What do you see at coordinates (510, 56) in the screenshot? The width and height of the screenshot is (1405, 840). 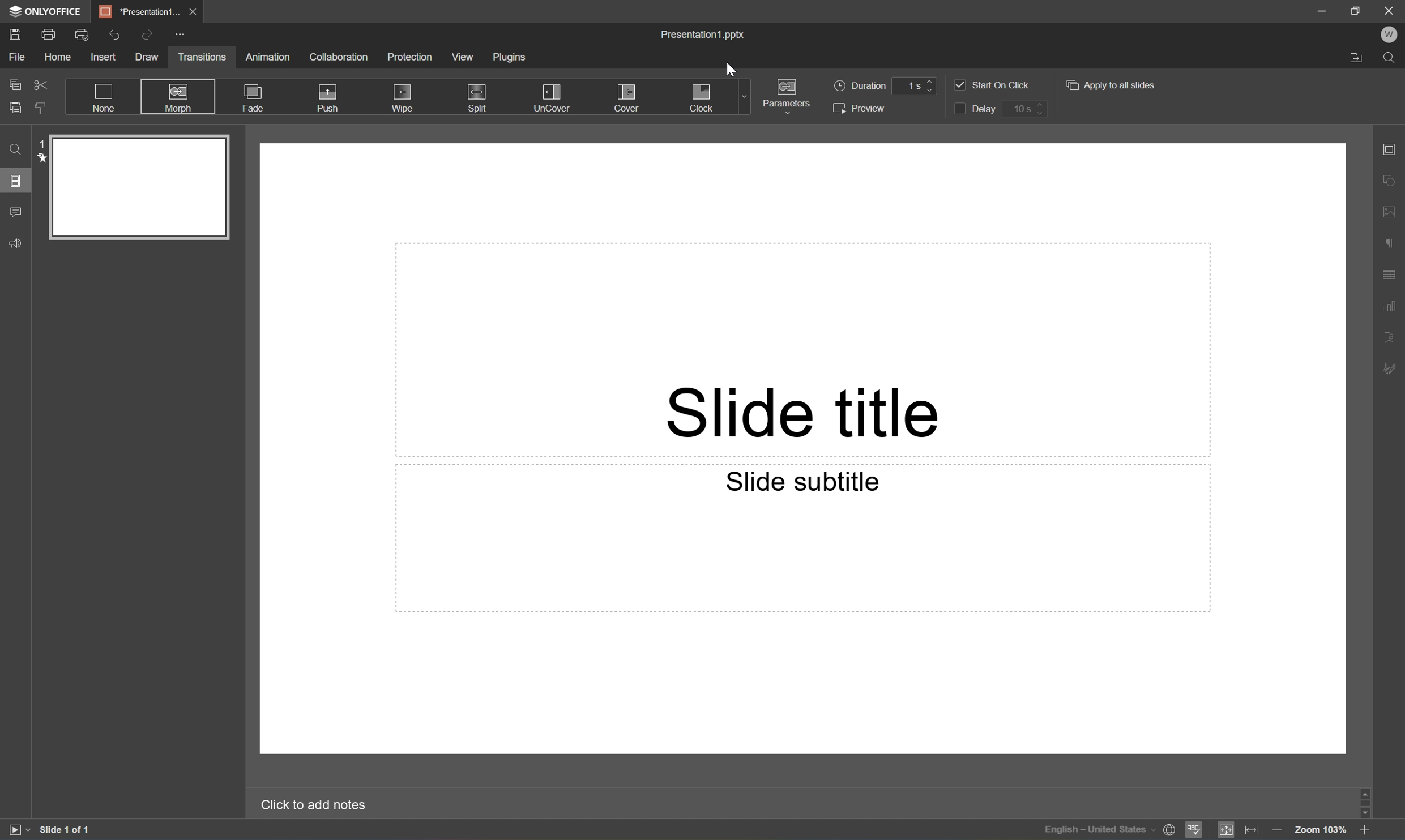 I see `Plugins` at bounding box center [510, 56].